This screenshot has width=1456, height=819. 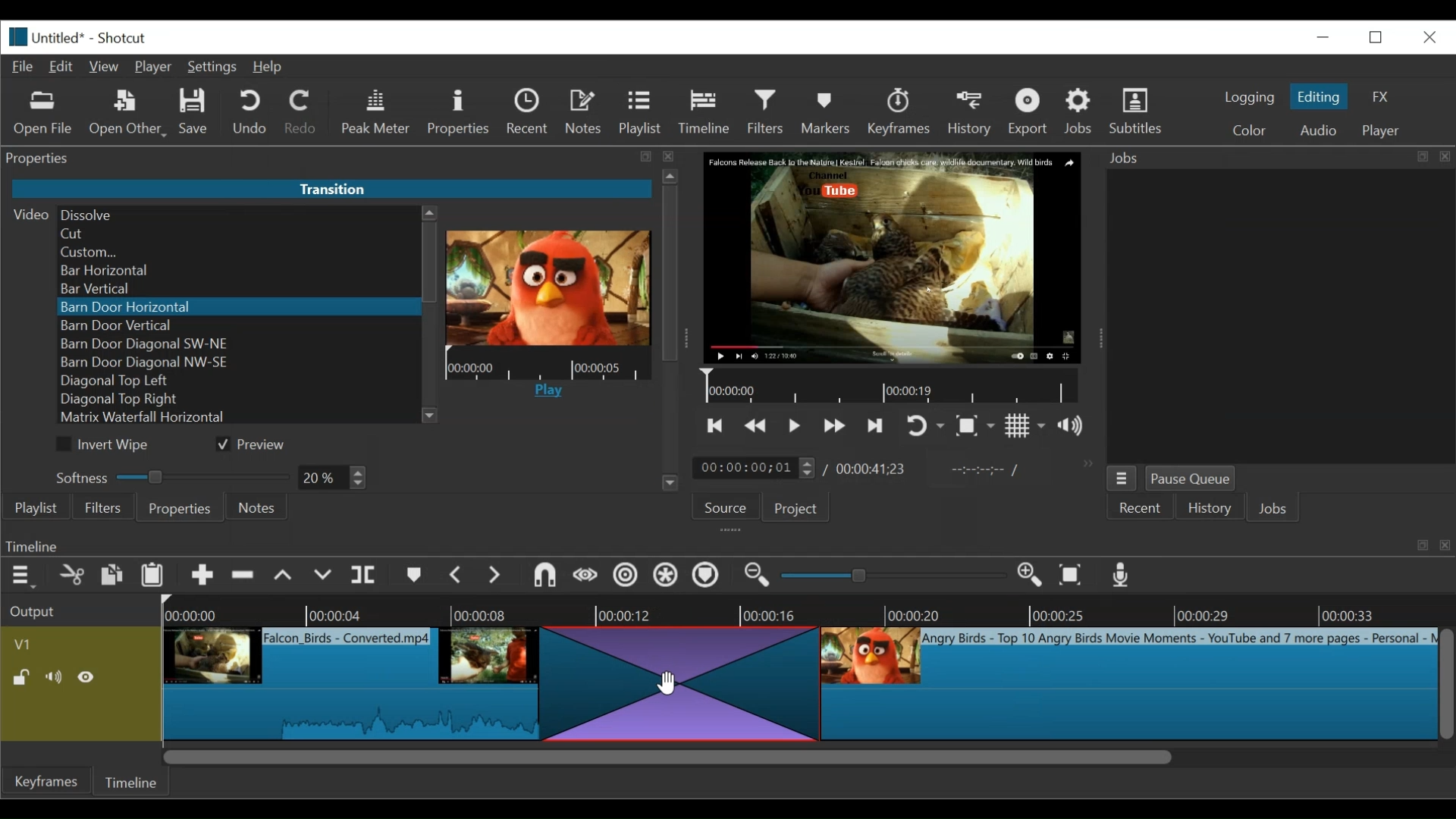 I want to click on Horizontal scroll bar, so click(x=666, y=755).